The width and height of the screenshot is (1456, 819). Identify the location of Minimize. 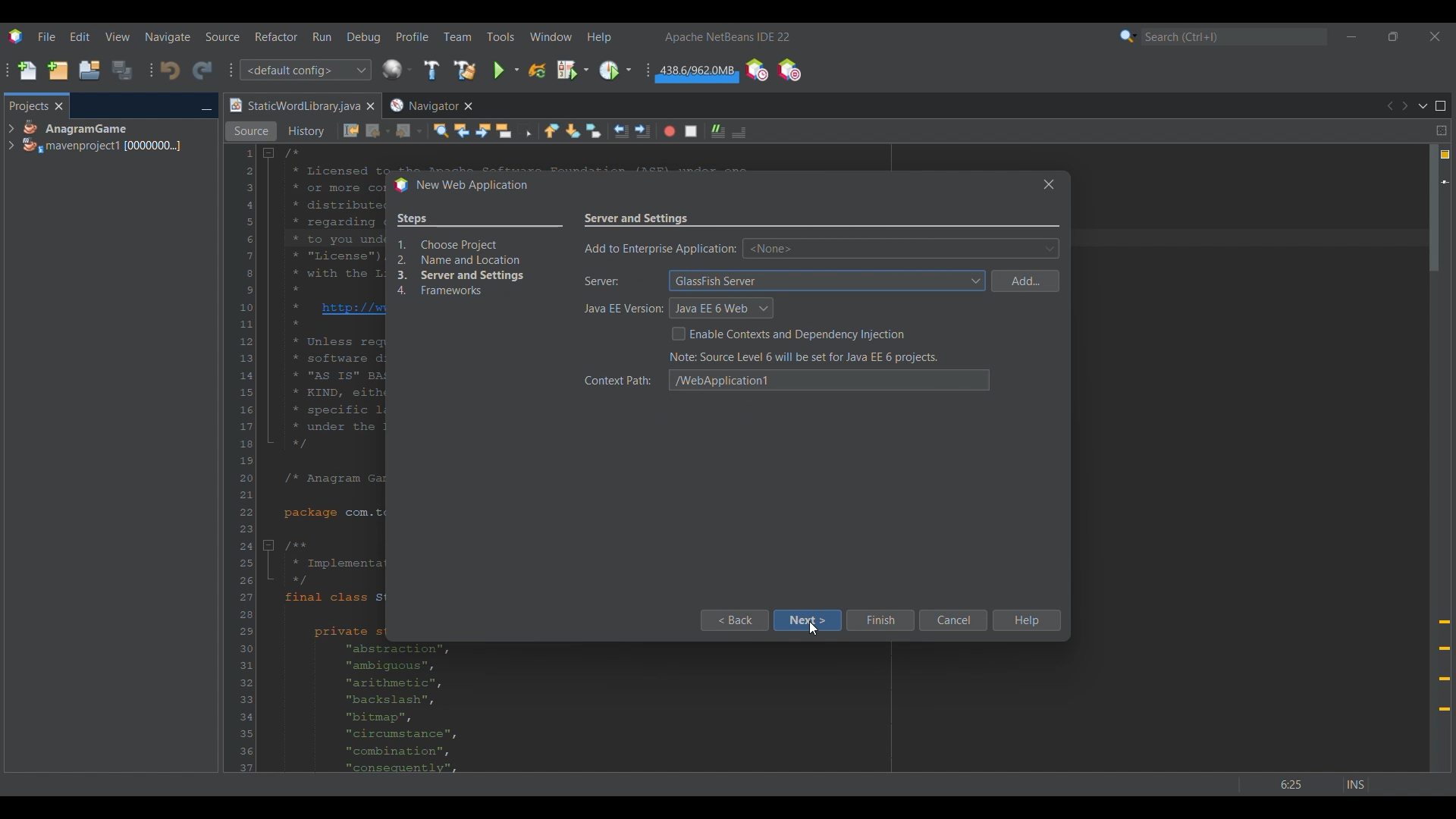
(206, 107).